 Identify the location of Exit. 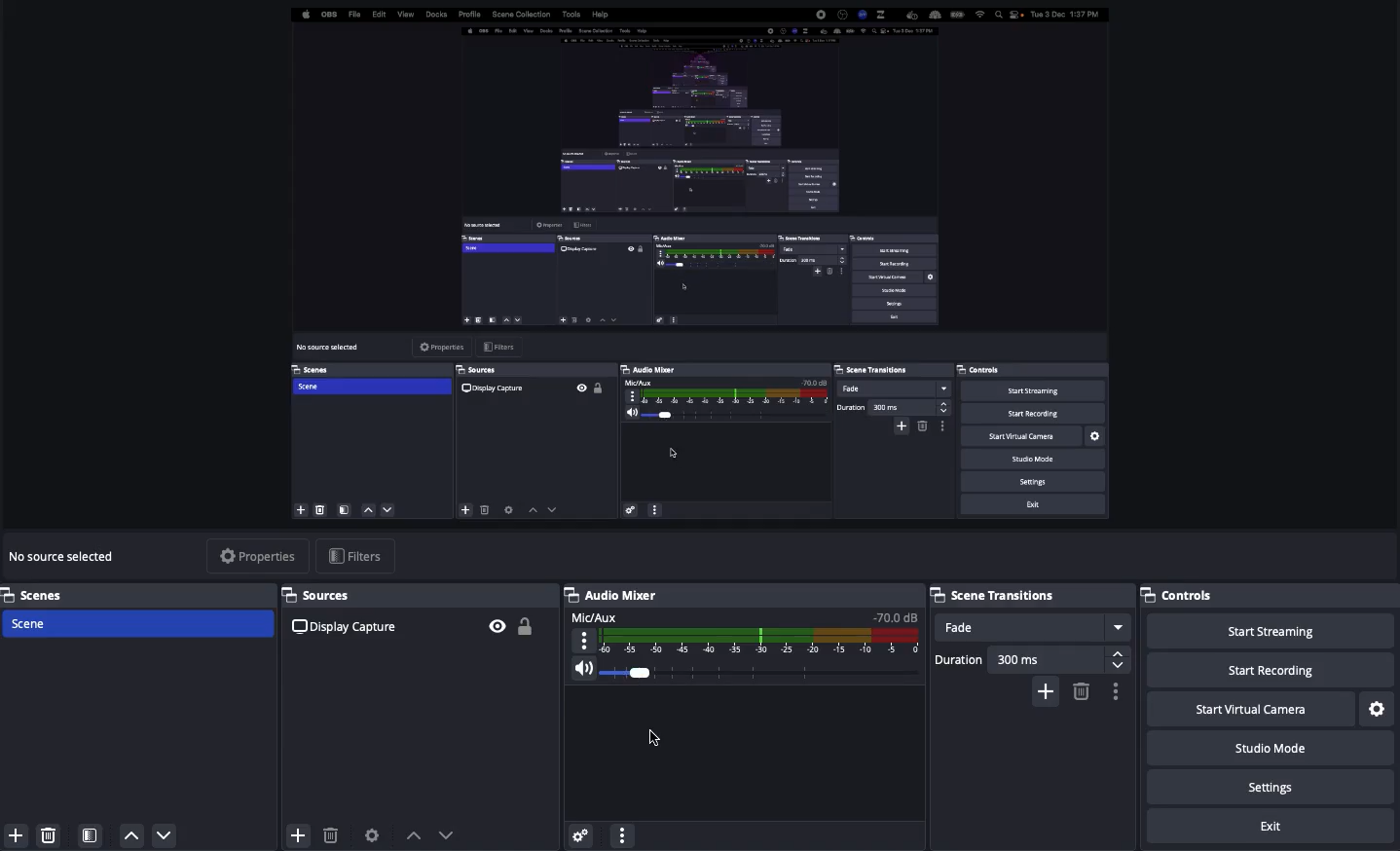
(1273, 827).